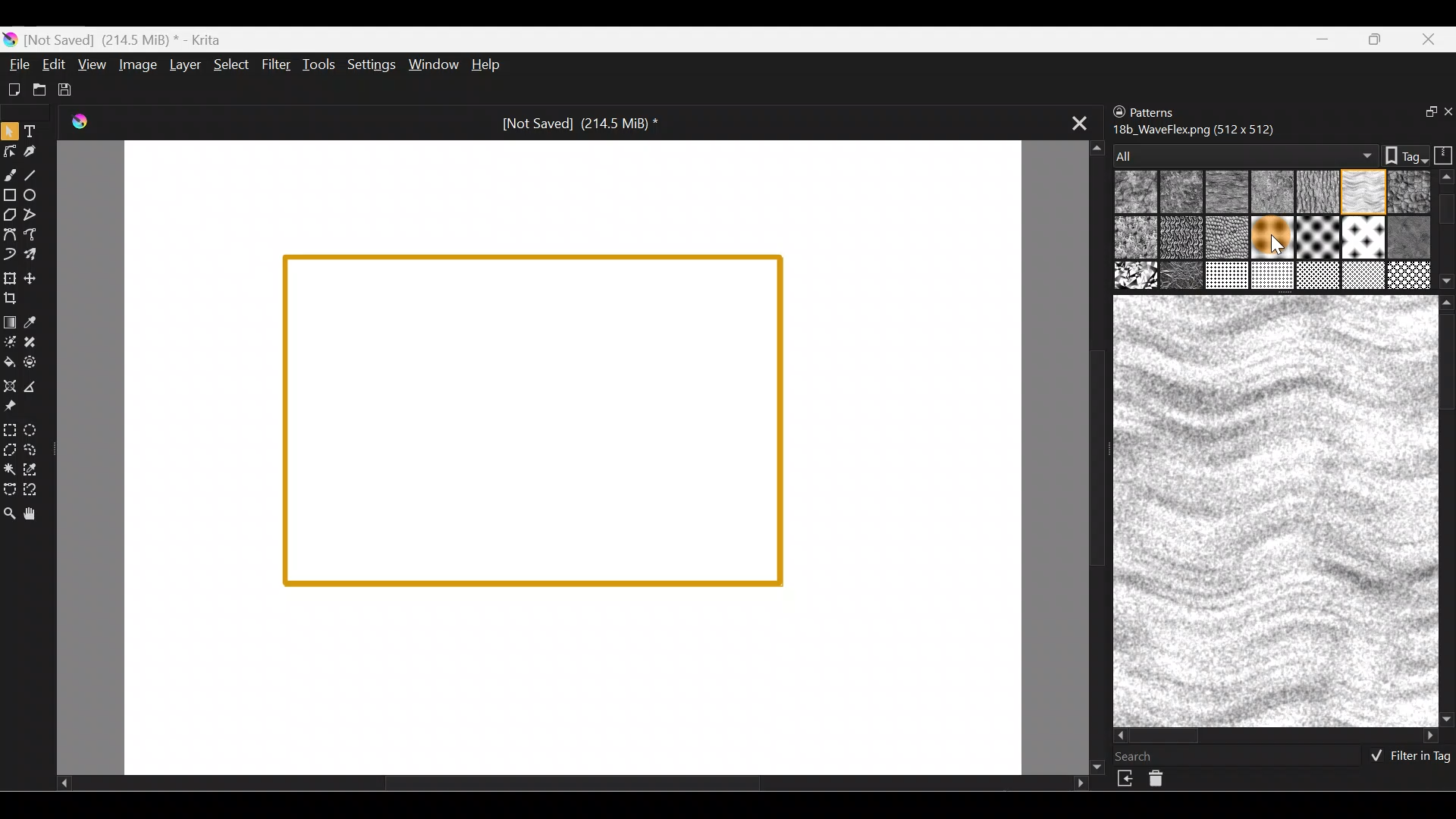 This screenshot has height=819, width=1456. I want to click on Bezier curve selection tool, so click(11, 489).